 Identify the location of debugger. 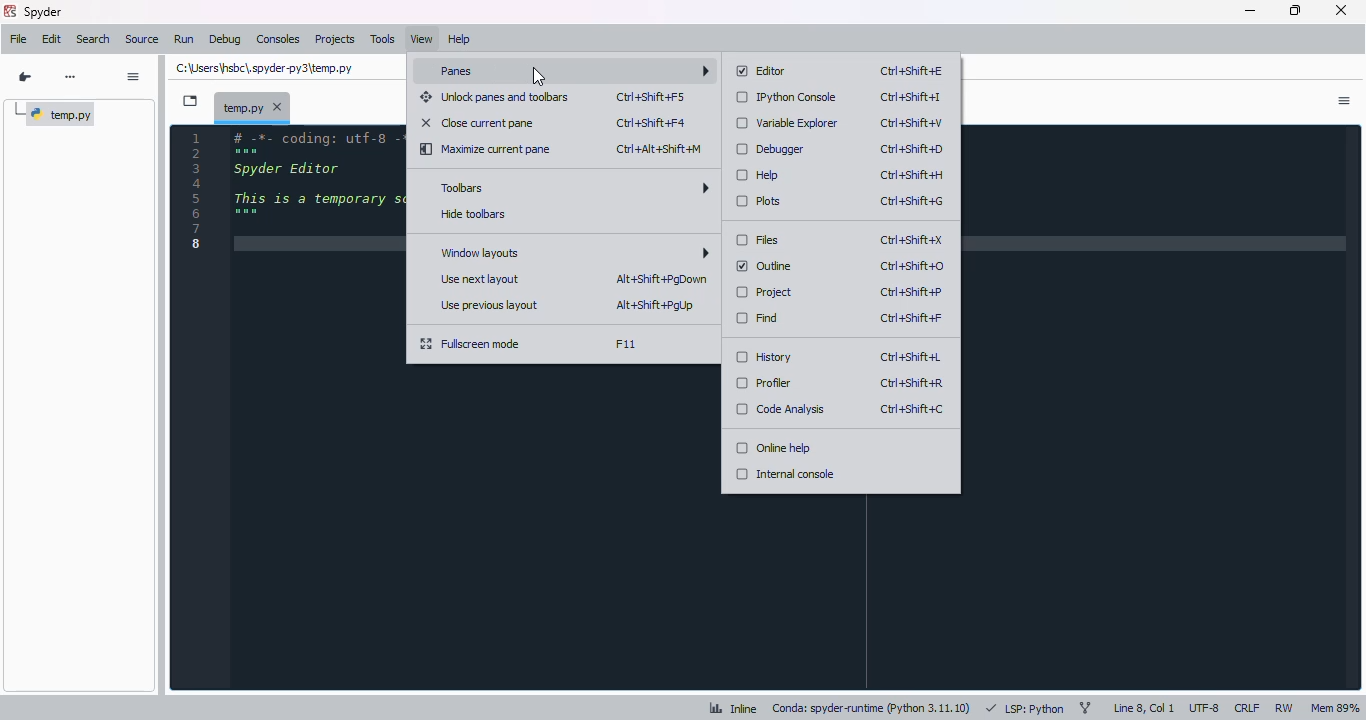
(770, 149).